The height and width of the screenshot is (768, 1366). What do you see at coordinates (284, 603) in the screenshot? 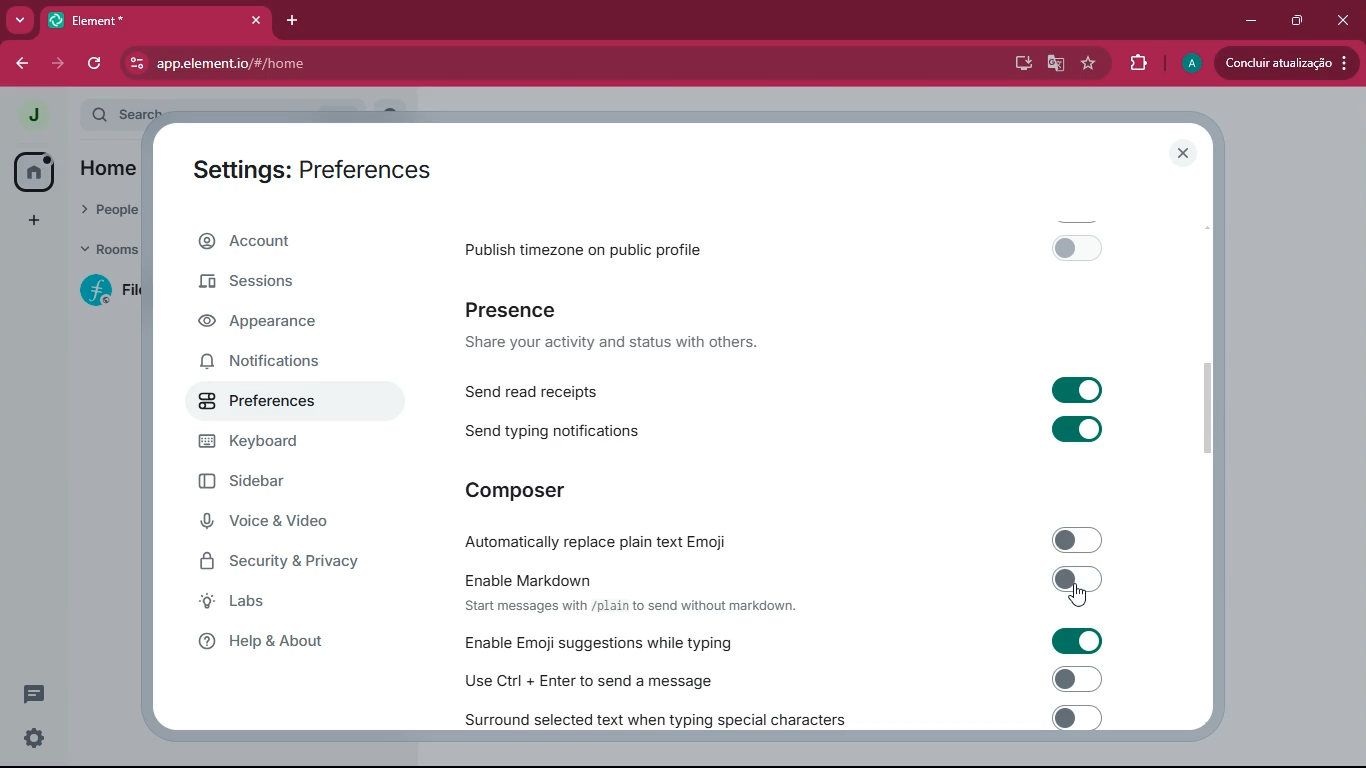
I see `labs` at bounding box center [284, 603].